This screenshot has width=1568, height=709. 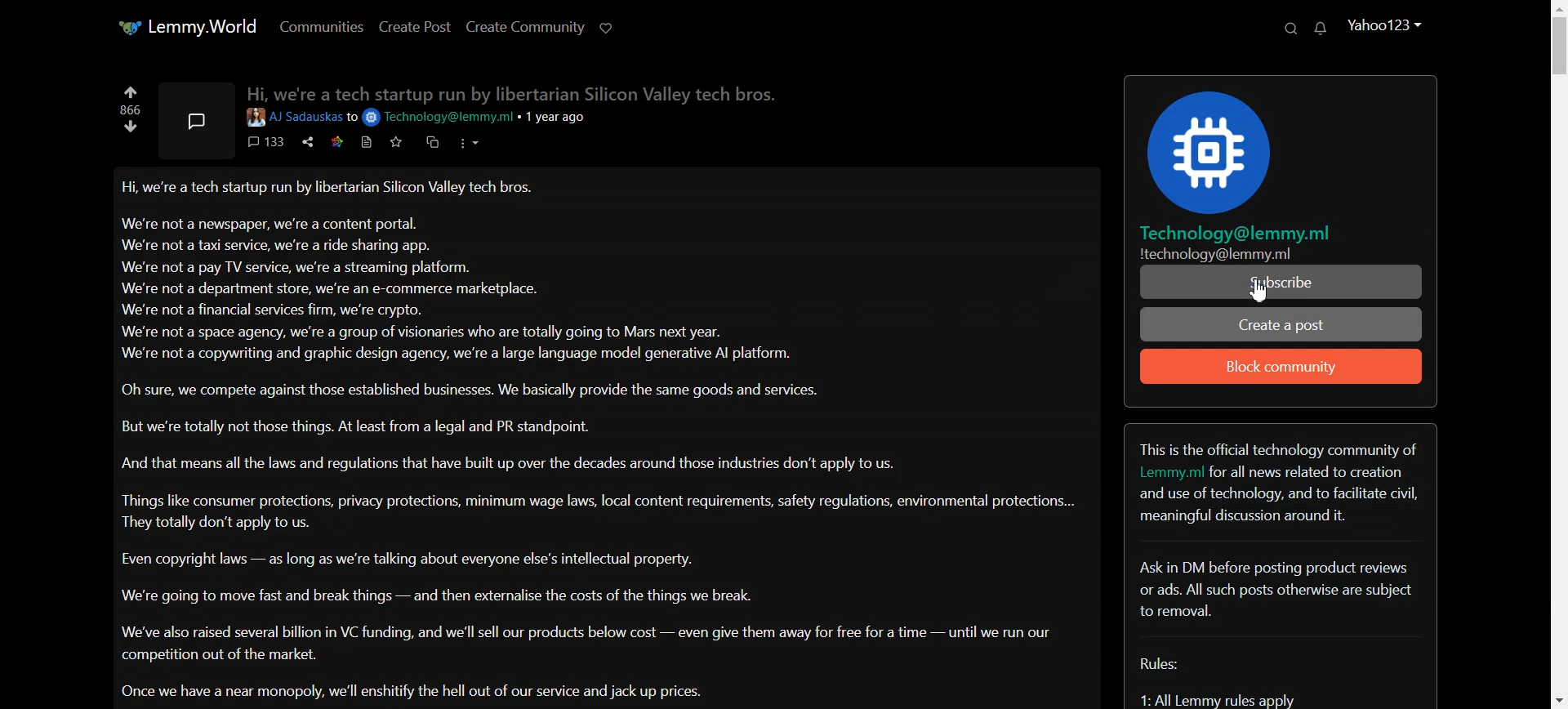 I want to click on 1 year ago, so click(x=562, y=118).